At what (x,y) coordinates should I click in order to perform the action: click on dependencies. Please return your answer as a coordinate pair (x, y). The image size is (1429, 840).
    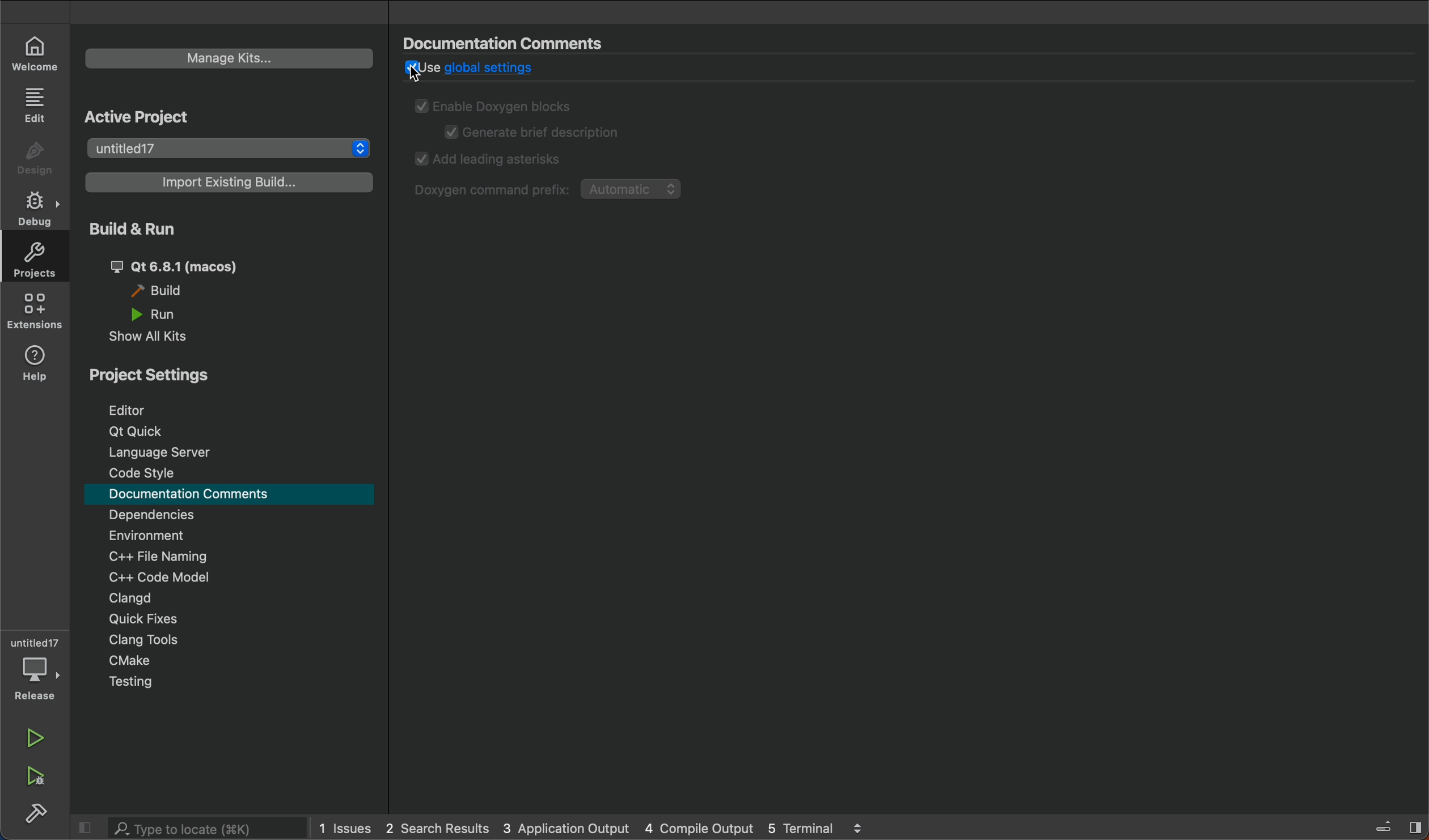
    Looking at the image, I should click on (160, 515).